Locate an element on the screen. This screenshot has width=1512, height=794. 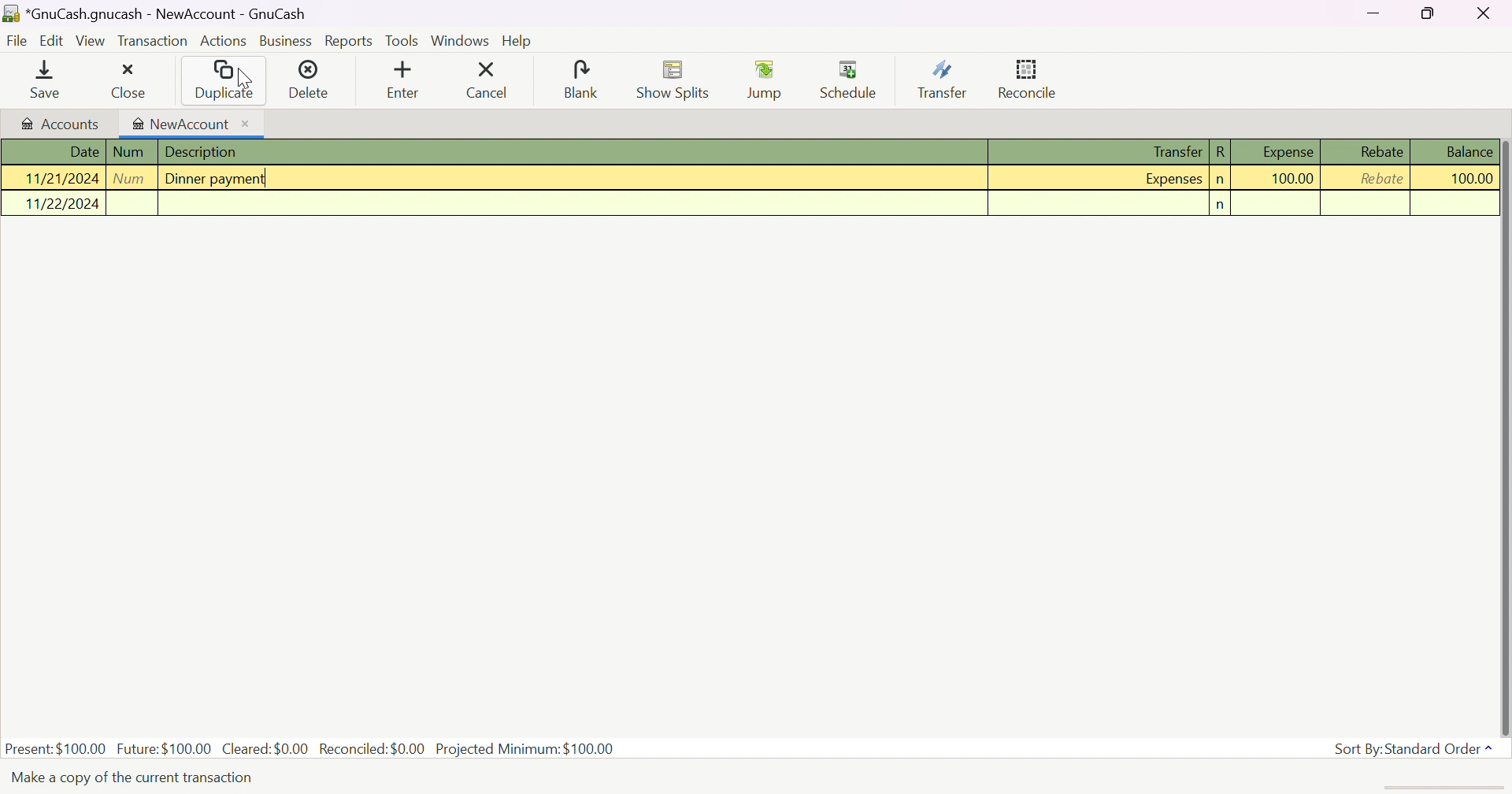
Description is located at coordinates (206, 153).